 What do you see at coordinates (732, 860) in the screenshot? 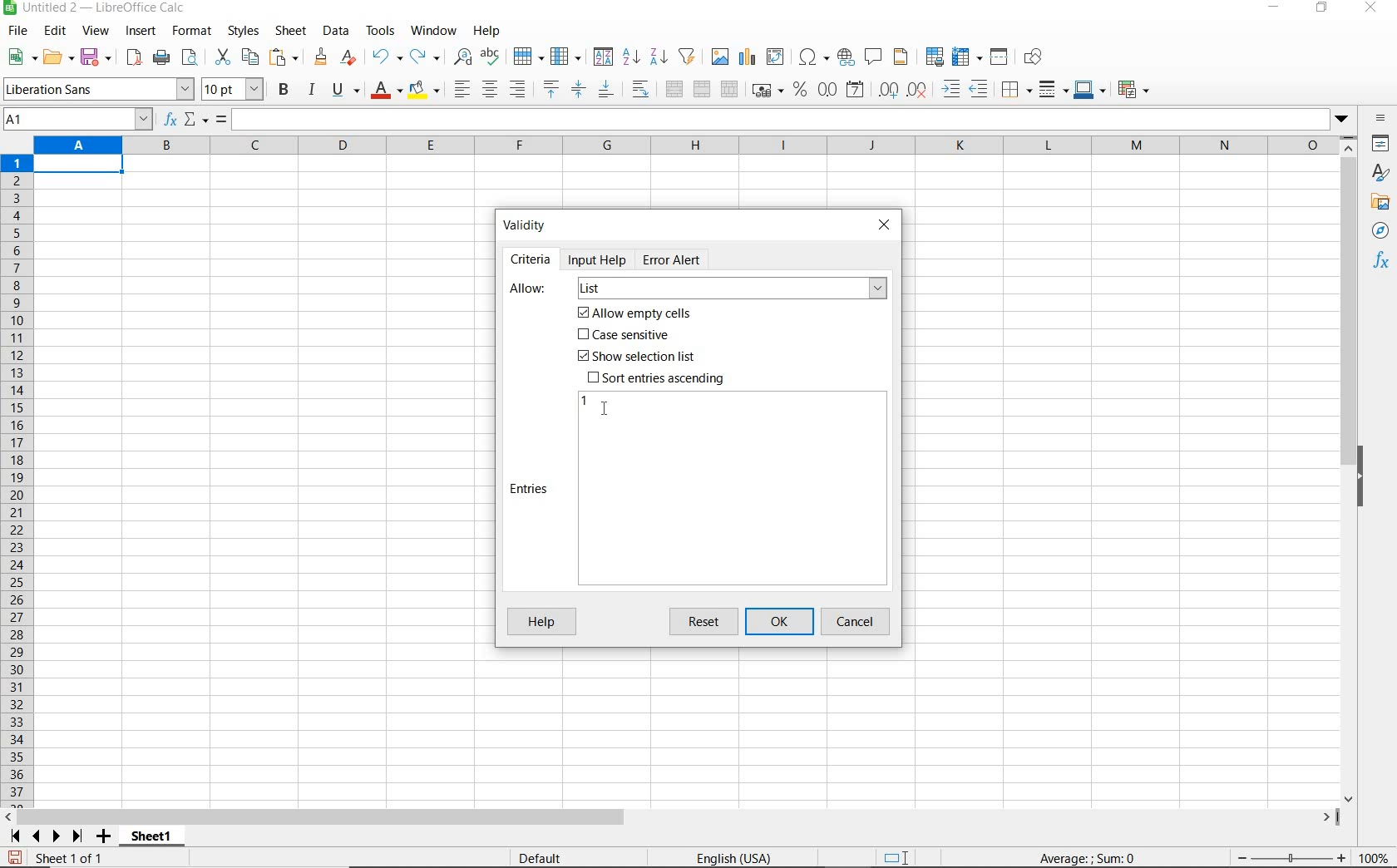
I see `text language` at bounding box center [732, 860].